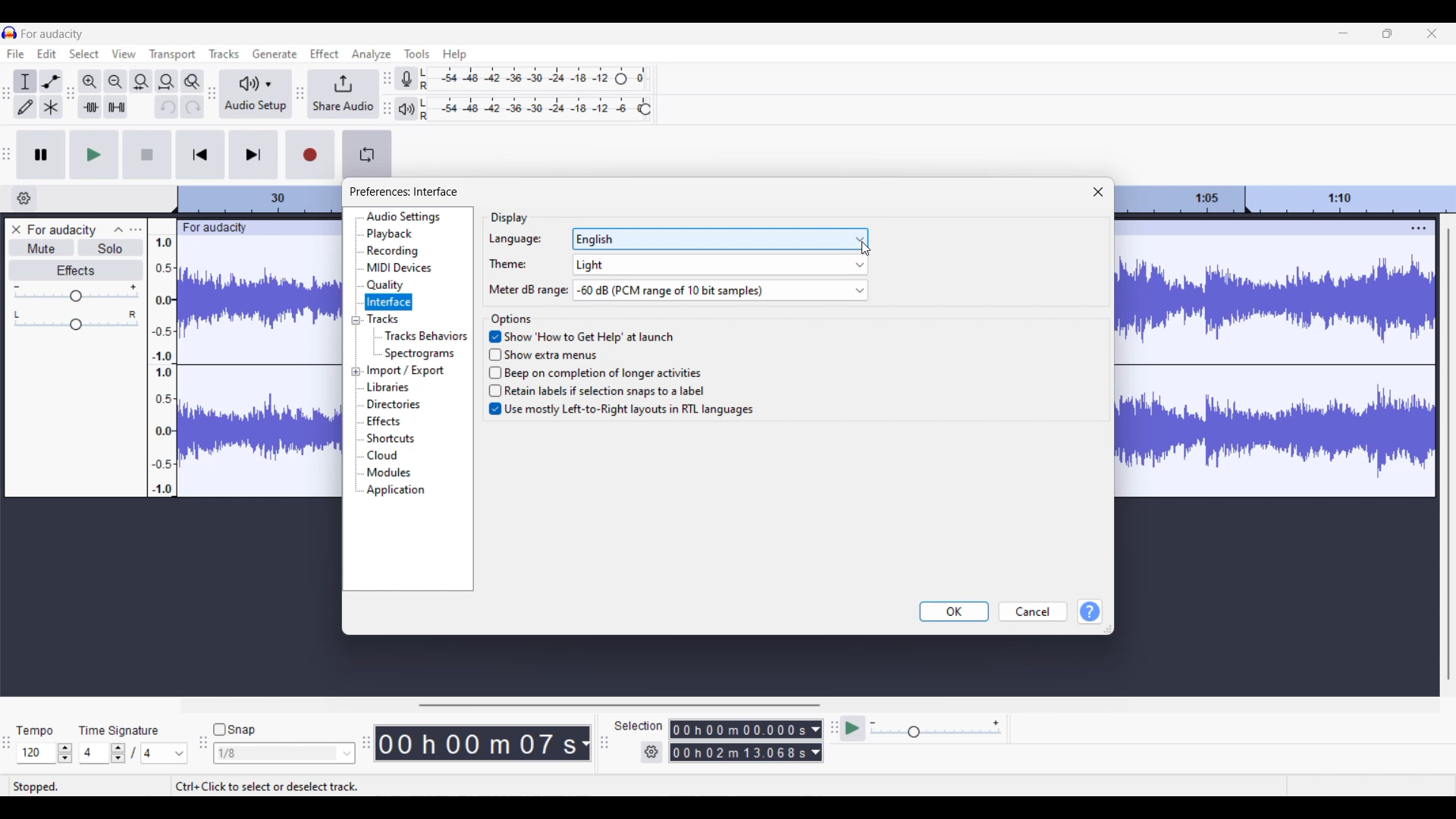 This screenshot has width=1456, height=819. I want to click on Close track, so click(16, 229).